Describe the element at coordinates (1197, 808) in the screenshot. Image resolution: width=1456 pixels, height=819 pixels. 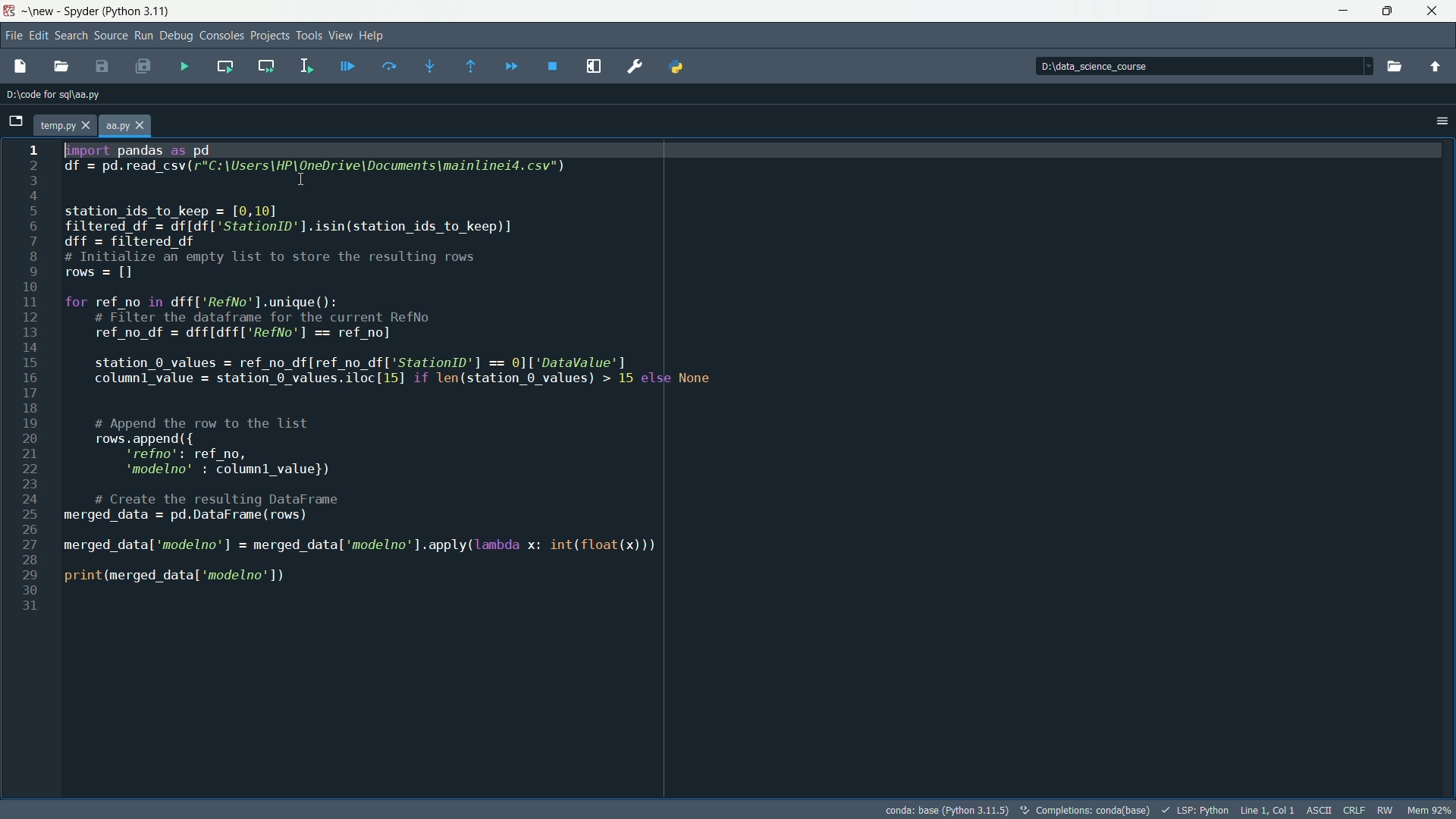
I see `lsp python` at that location.